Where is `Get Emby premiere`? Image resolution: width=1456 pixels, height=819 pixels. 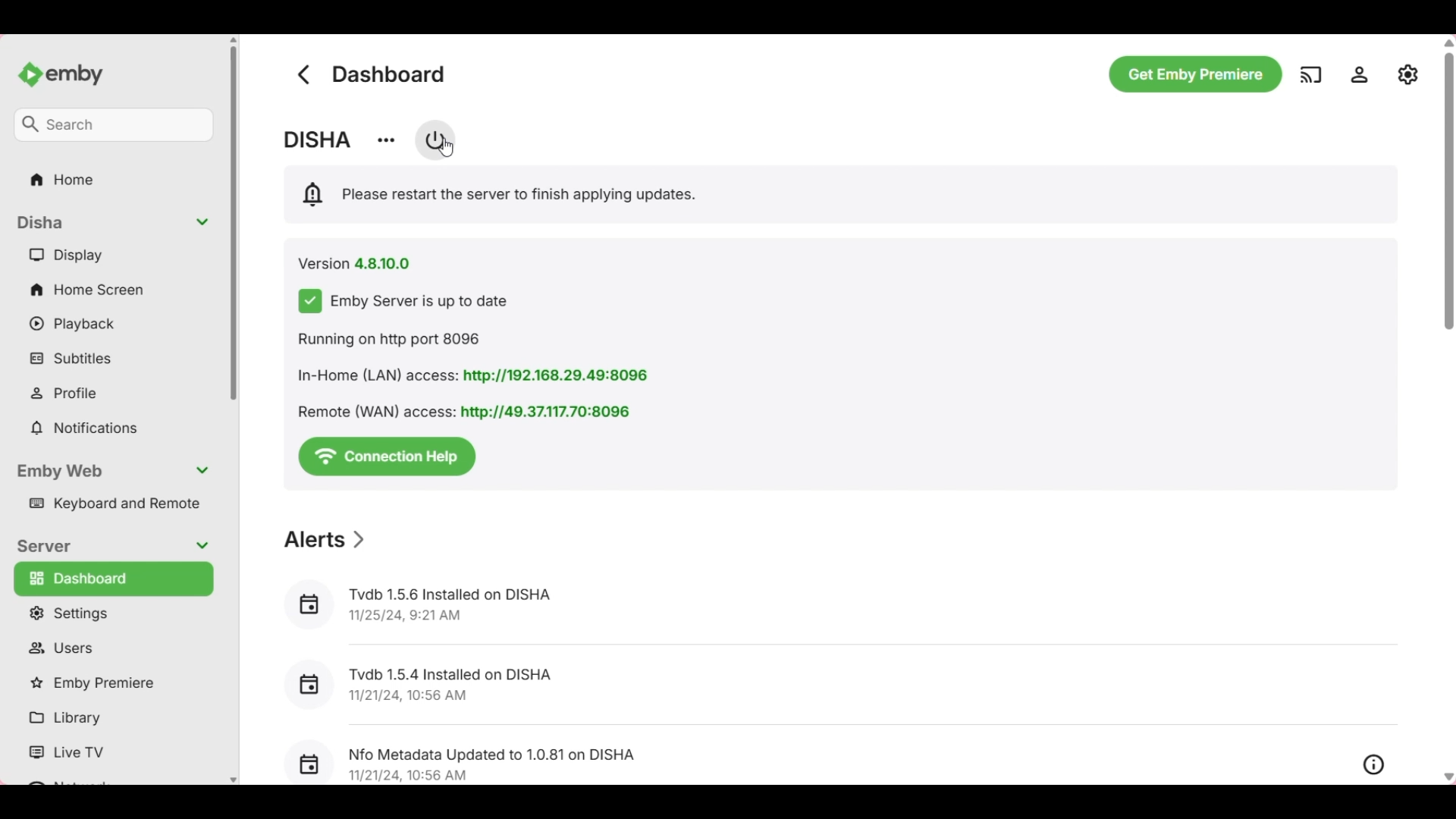 Get Emby premiere is located at coordinates (1196, 74).